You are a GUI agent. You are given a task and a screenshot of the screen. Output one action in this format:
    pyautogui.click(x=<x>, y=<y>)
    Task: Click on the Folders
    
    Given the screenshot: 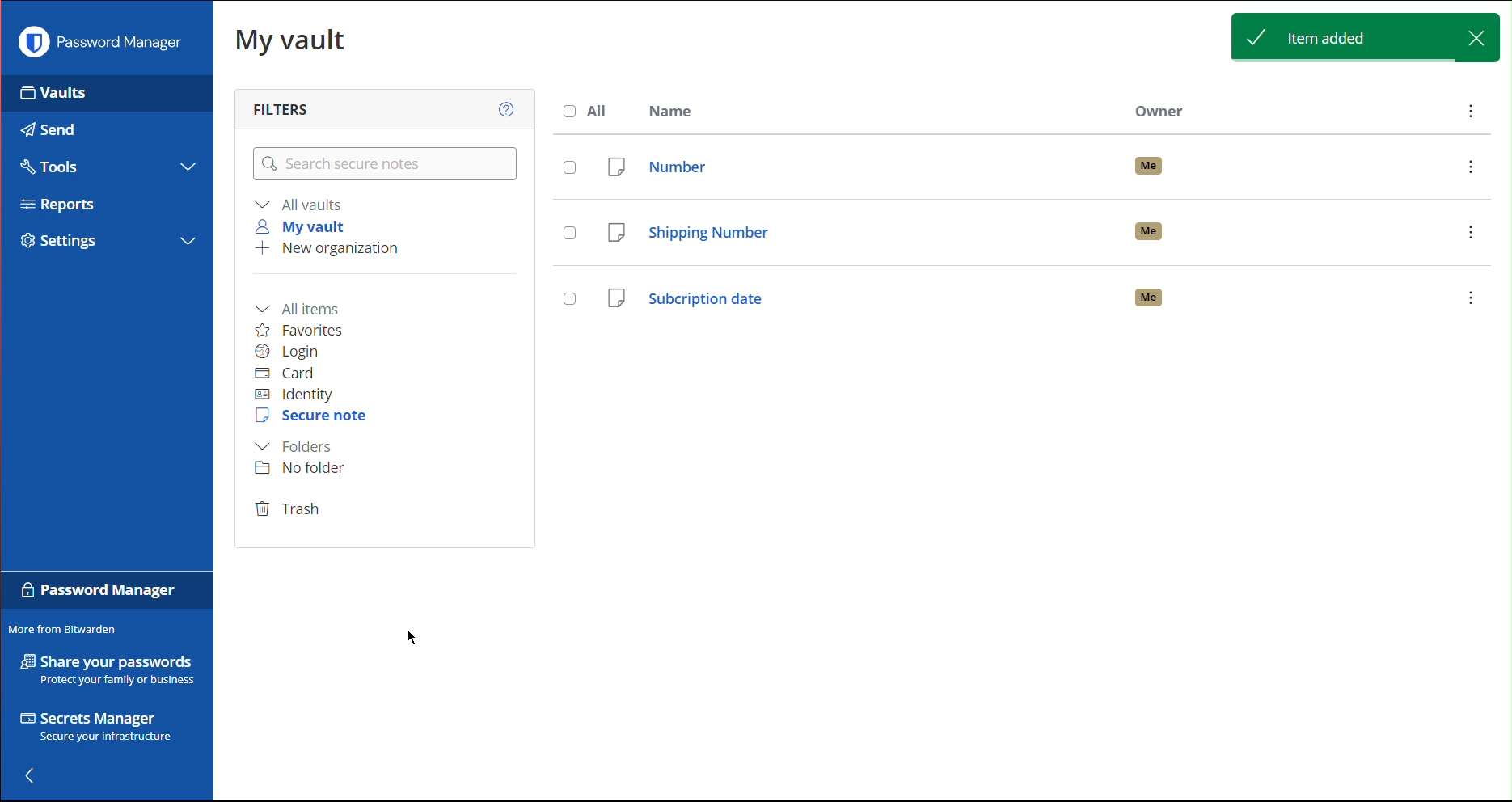 What is the action you would take?
    pyautogui.click(x=298, y=446)
    